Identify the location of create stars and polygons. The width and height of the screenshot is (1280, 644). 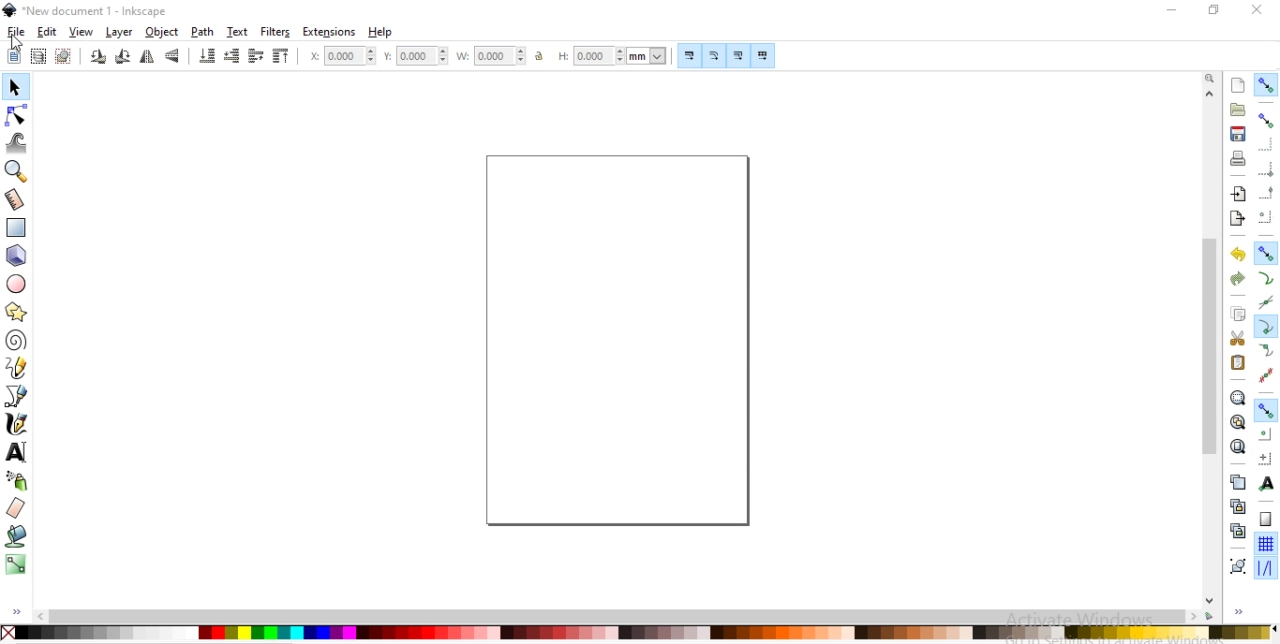
(17, 311).